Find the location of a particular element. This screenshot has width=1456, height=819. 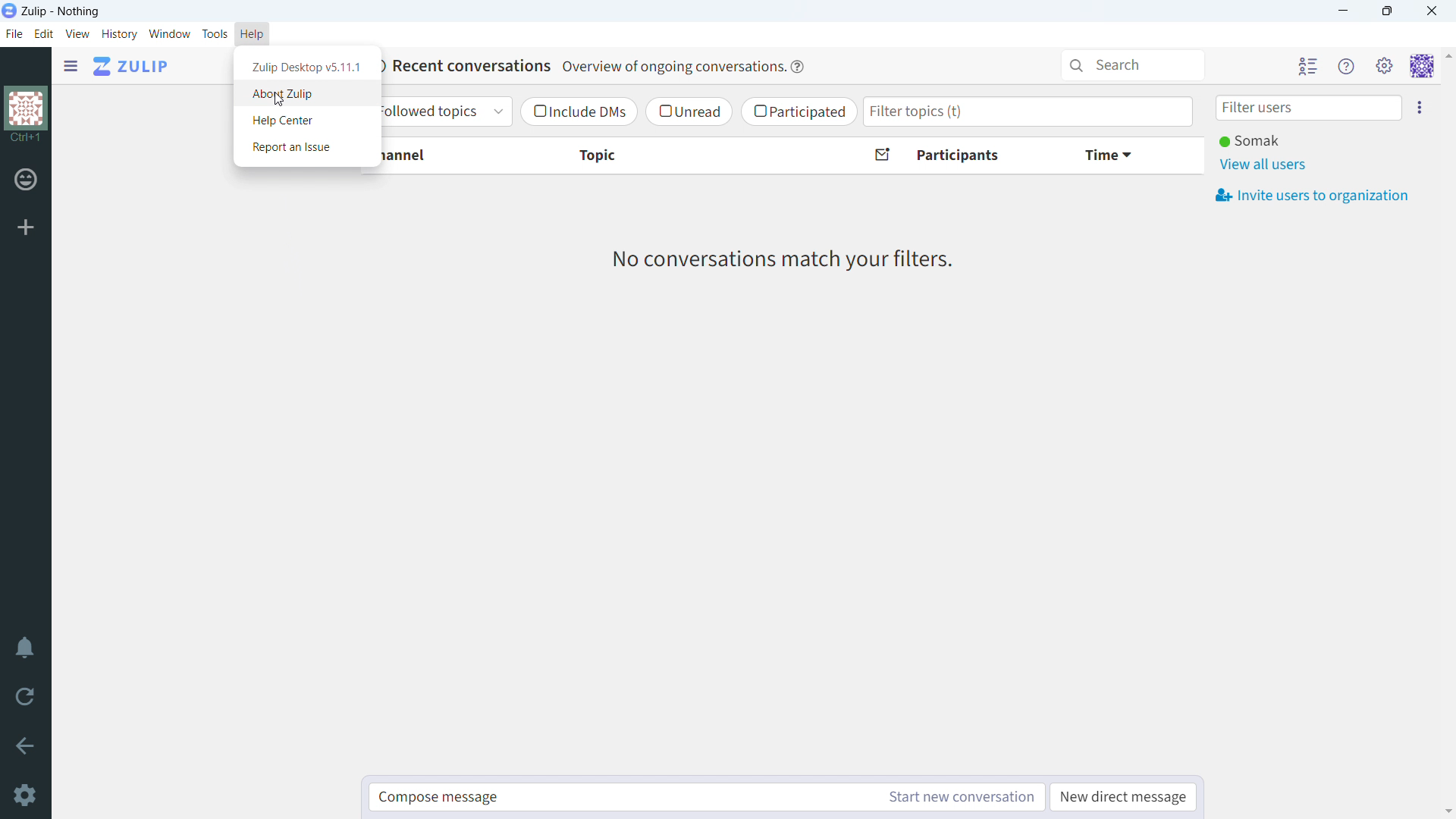

zulip smiley is located at coordinates (28, 182).